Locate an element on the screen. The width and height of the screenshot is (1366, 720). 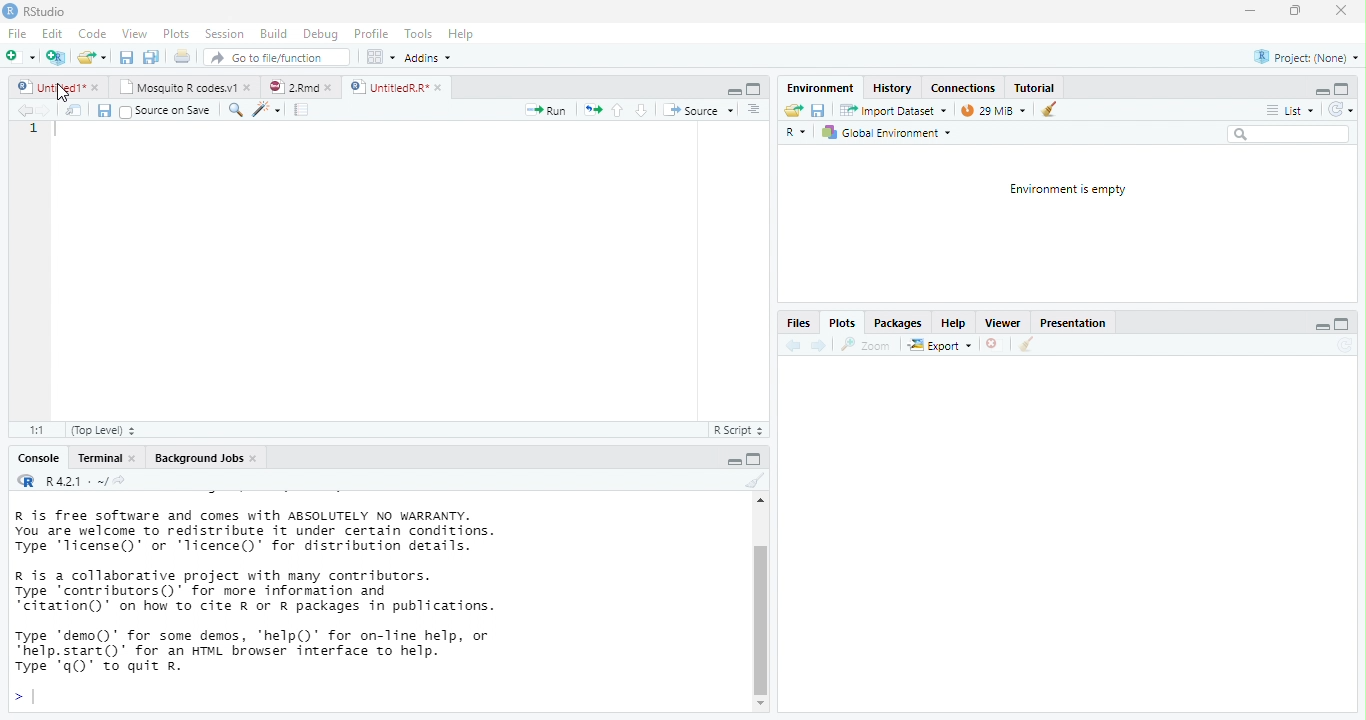
2Rmd is located at coordinates (291, 87).